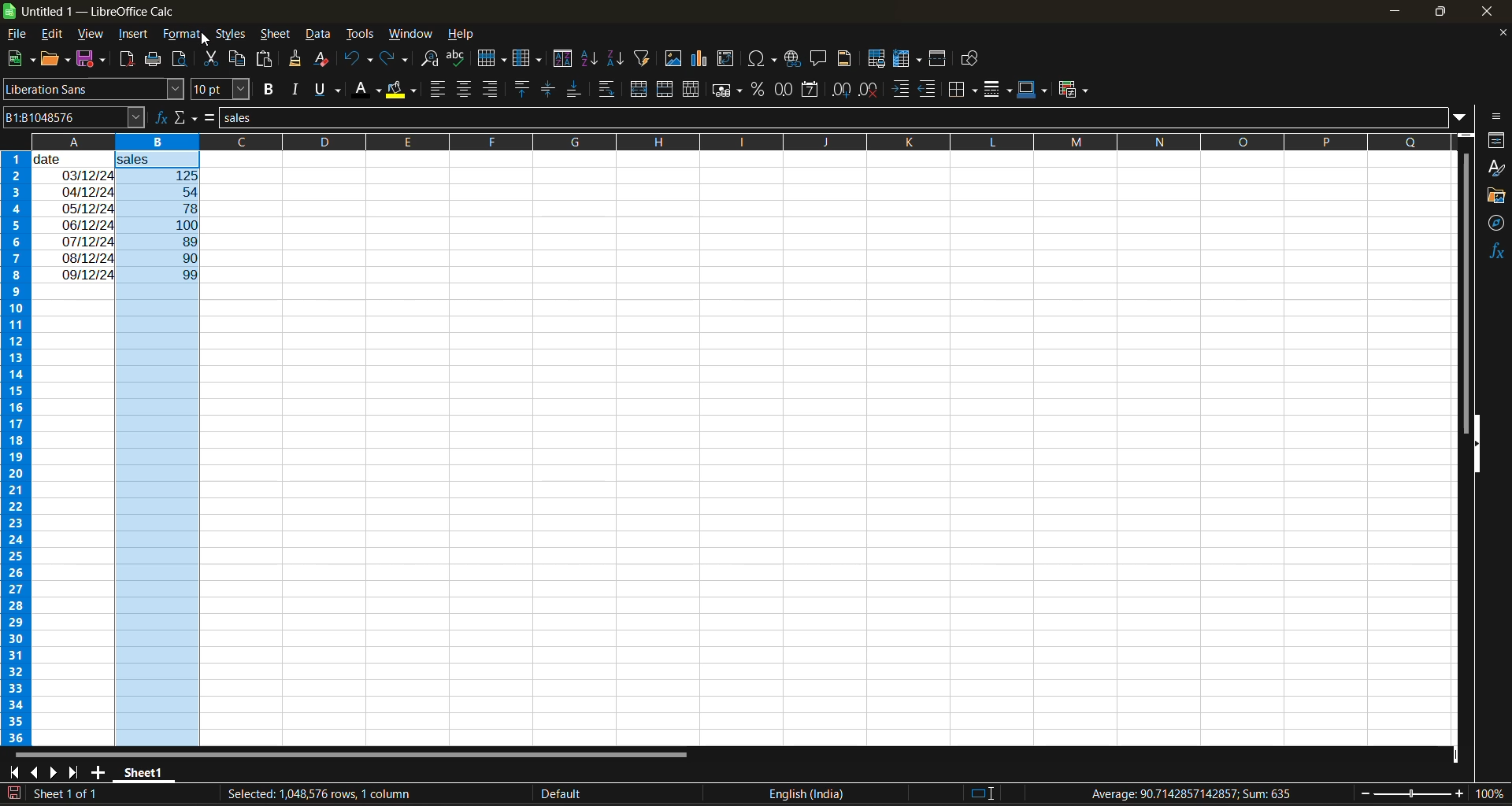 This screenshot has width=1512, height=806. What do you see at coordinates (1497, 168) in the screenshot?
I see `style` at bounding box center [1497, 168].